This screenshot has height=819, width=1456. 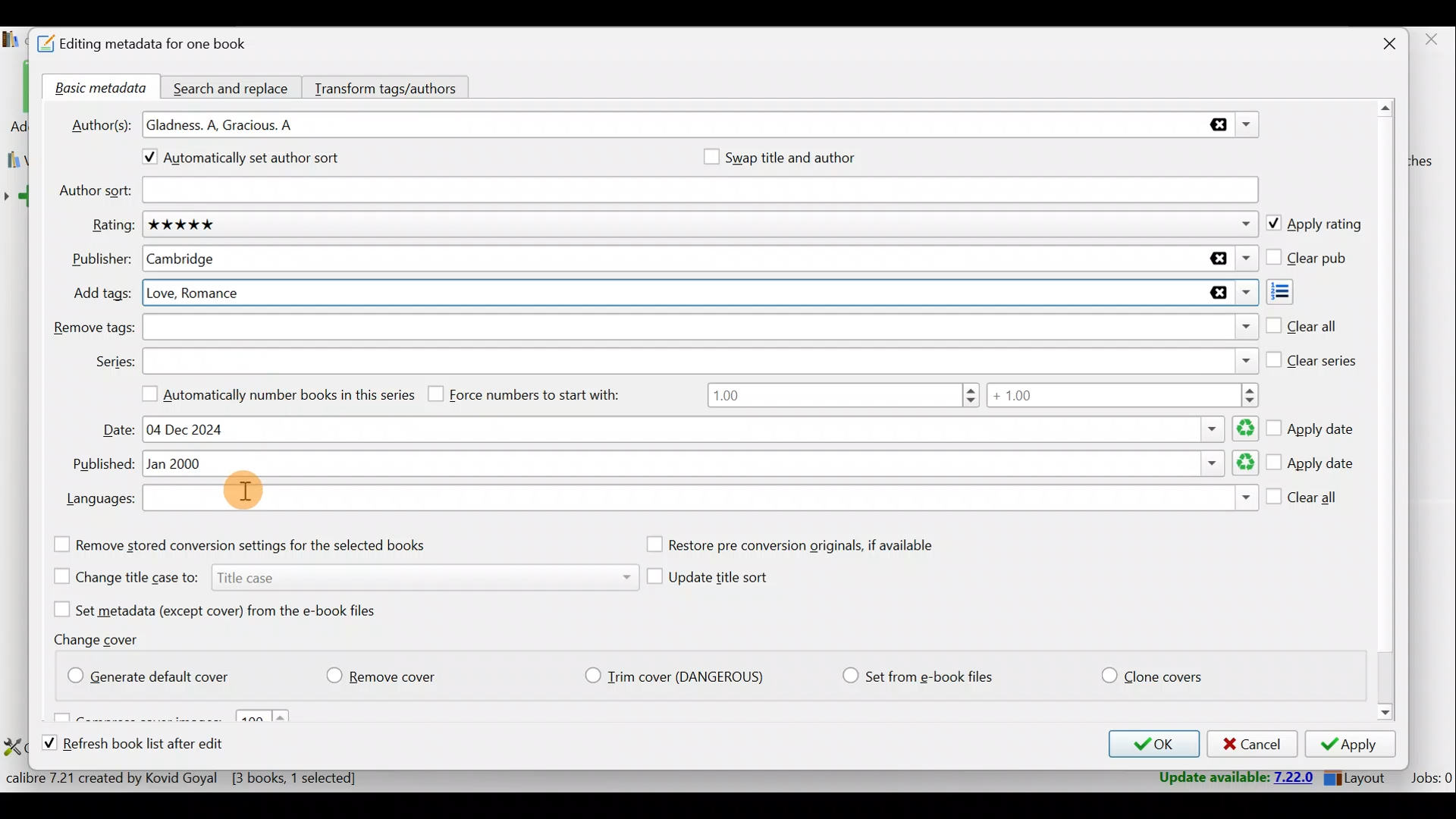 What do you see at coordinates (722, 580) in the screenshot?
I see `Update title sort` at bounding box center [722, 580].